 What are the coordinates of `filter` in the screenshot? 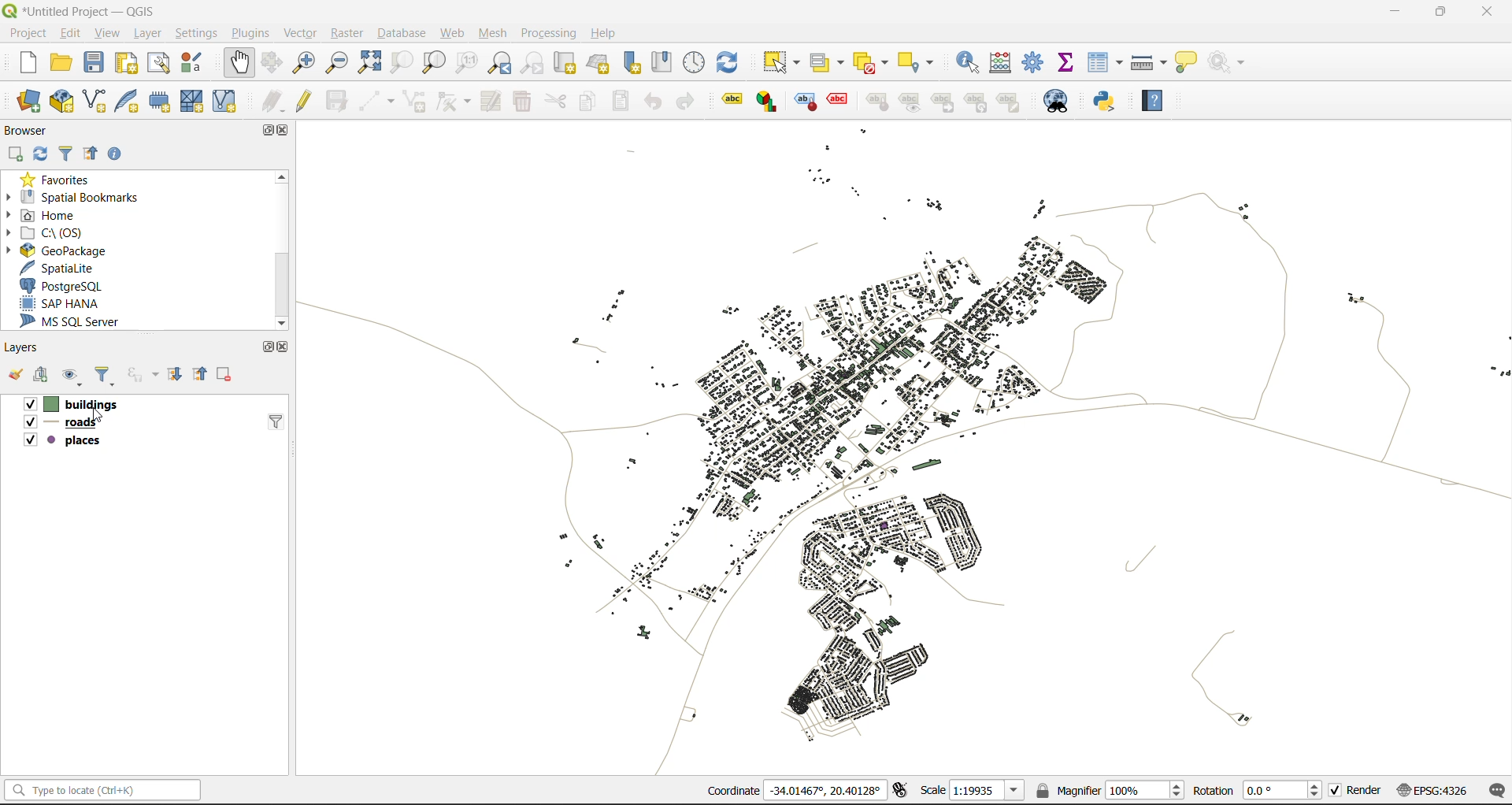 It's located at (108, 376).